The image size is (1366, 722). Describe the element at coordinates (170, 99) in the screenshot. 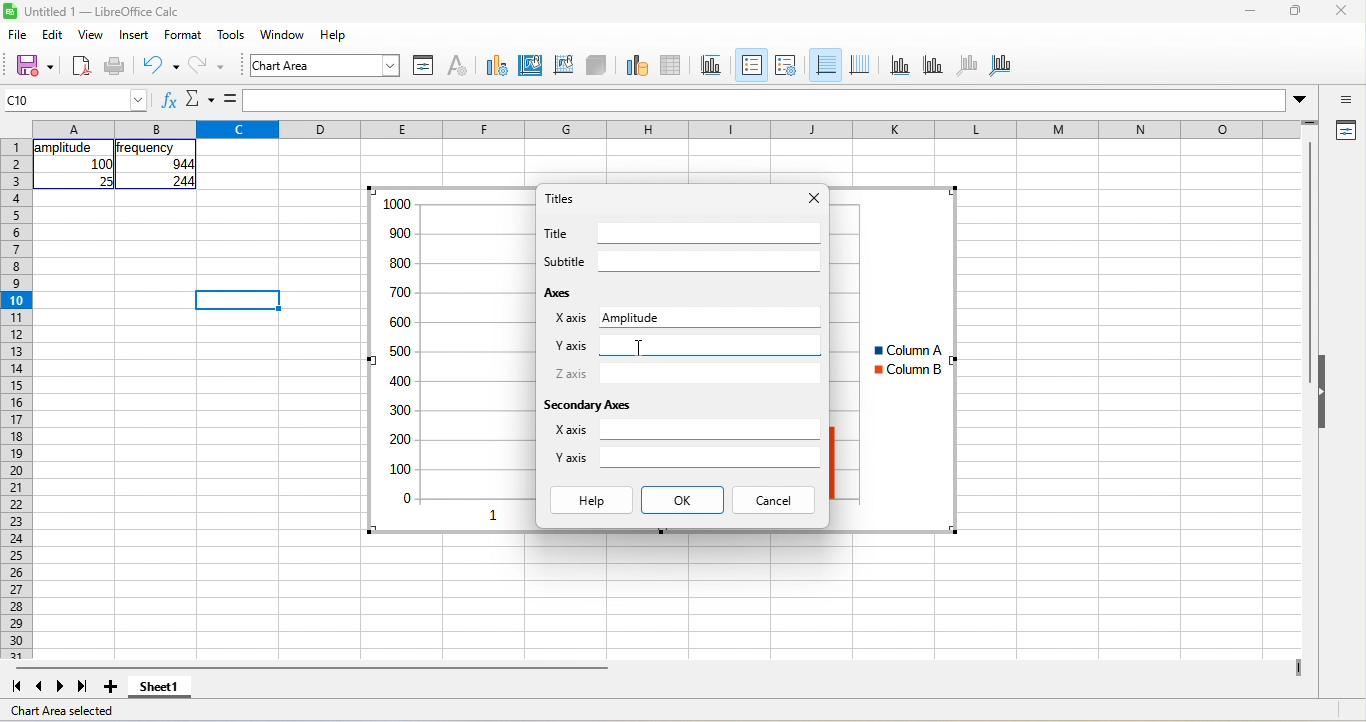

I see `fx` at that location.